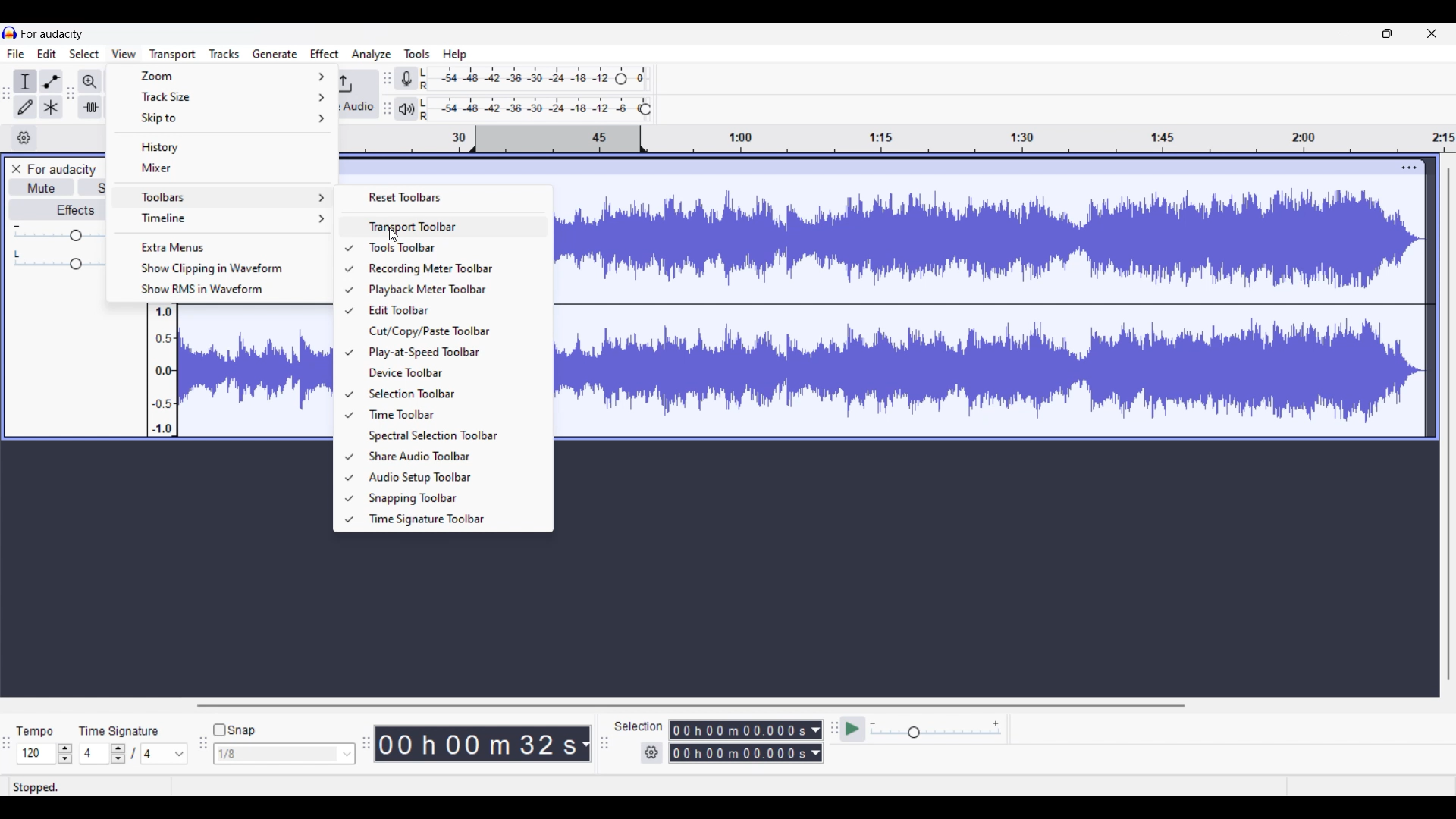 The height and width of the screenshot is (819, 1456). I want to click on Timeline options, so click(24, 138).